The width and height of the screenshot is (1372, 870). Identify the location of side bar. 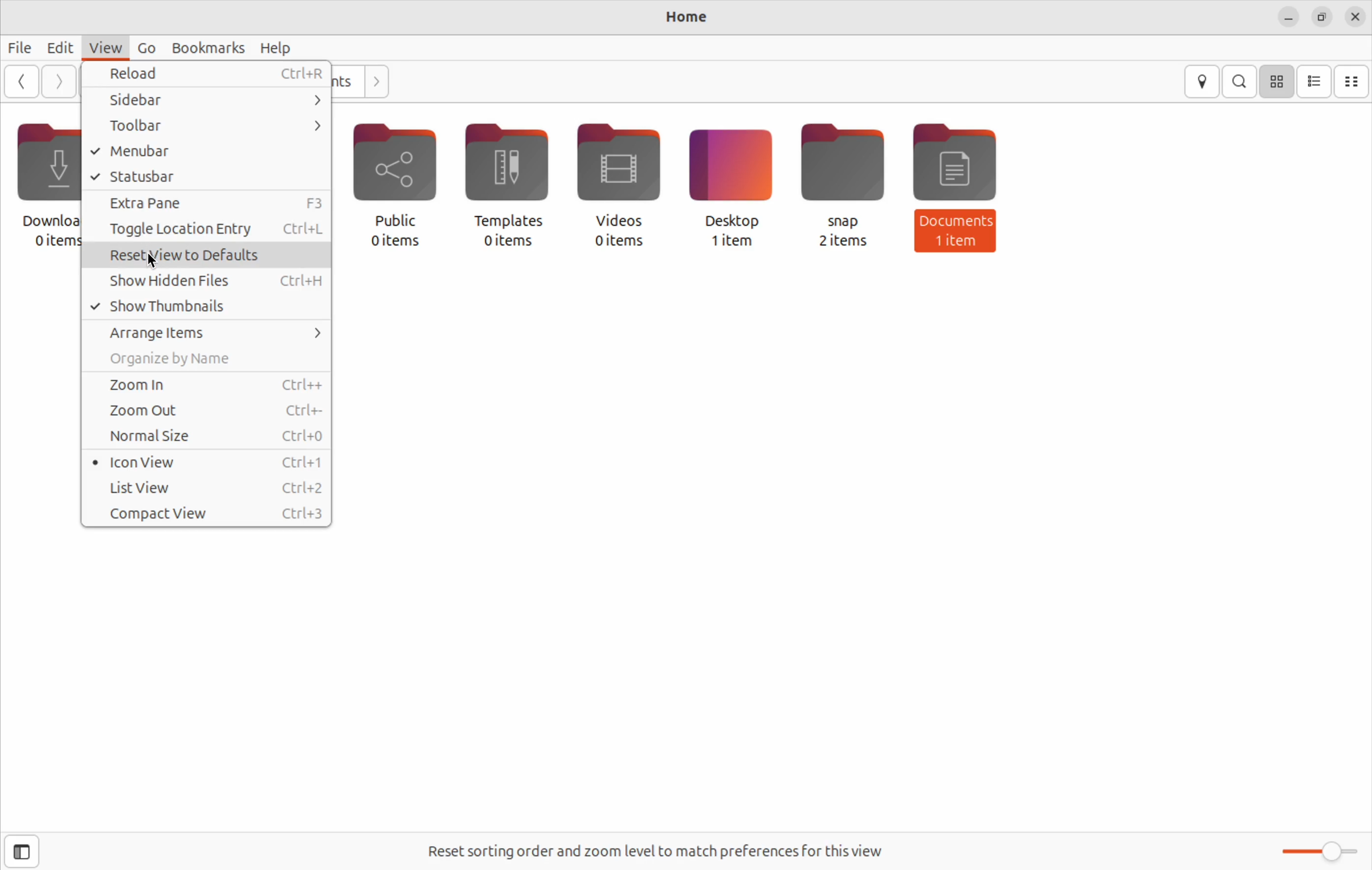
(34, 852).